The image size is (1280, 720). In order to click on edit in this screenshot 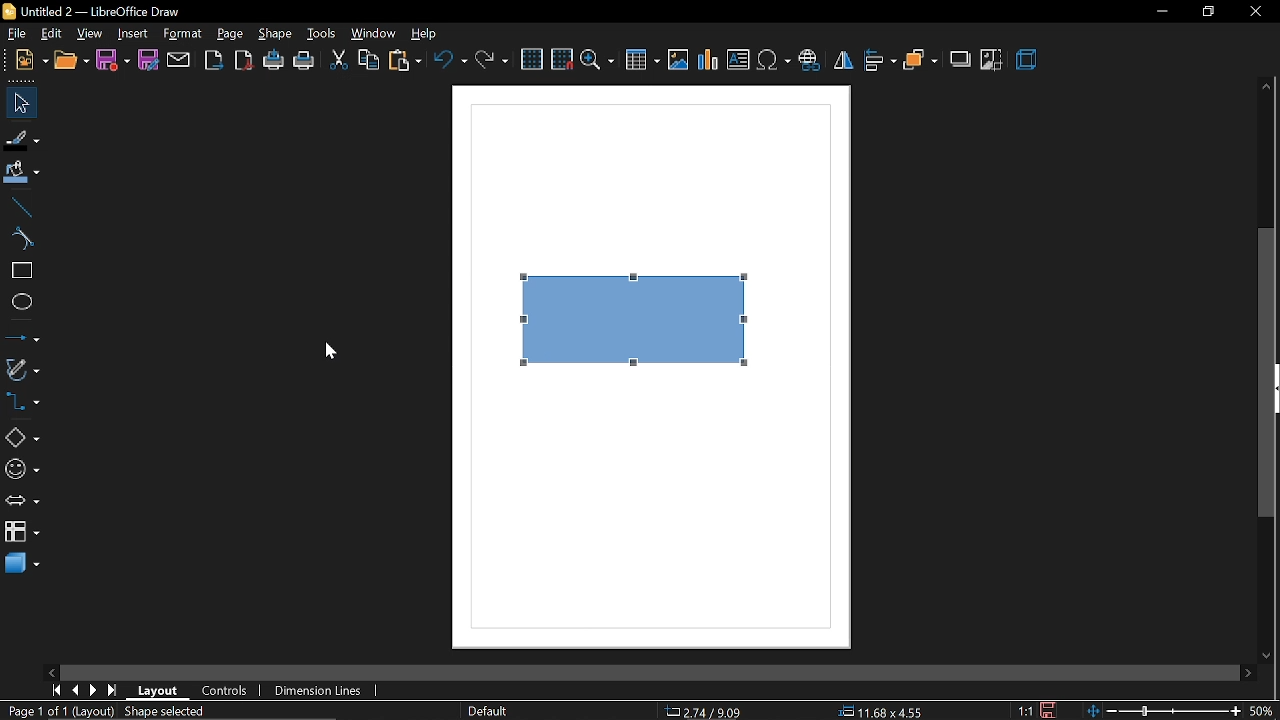, I will do `click(51, 34)`.